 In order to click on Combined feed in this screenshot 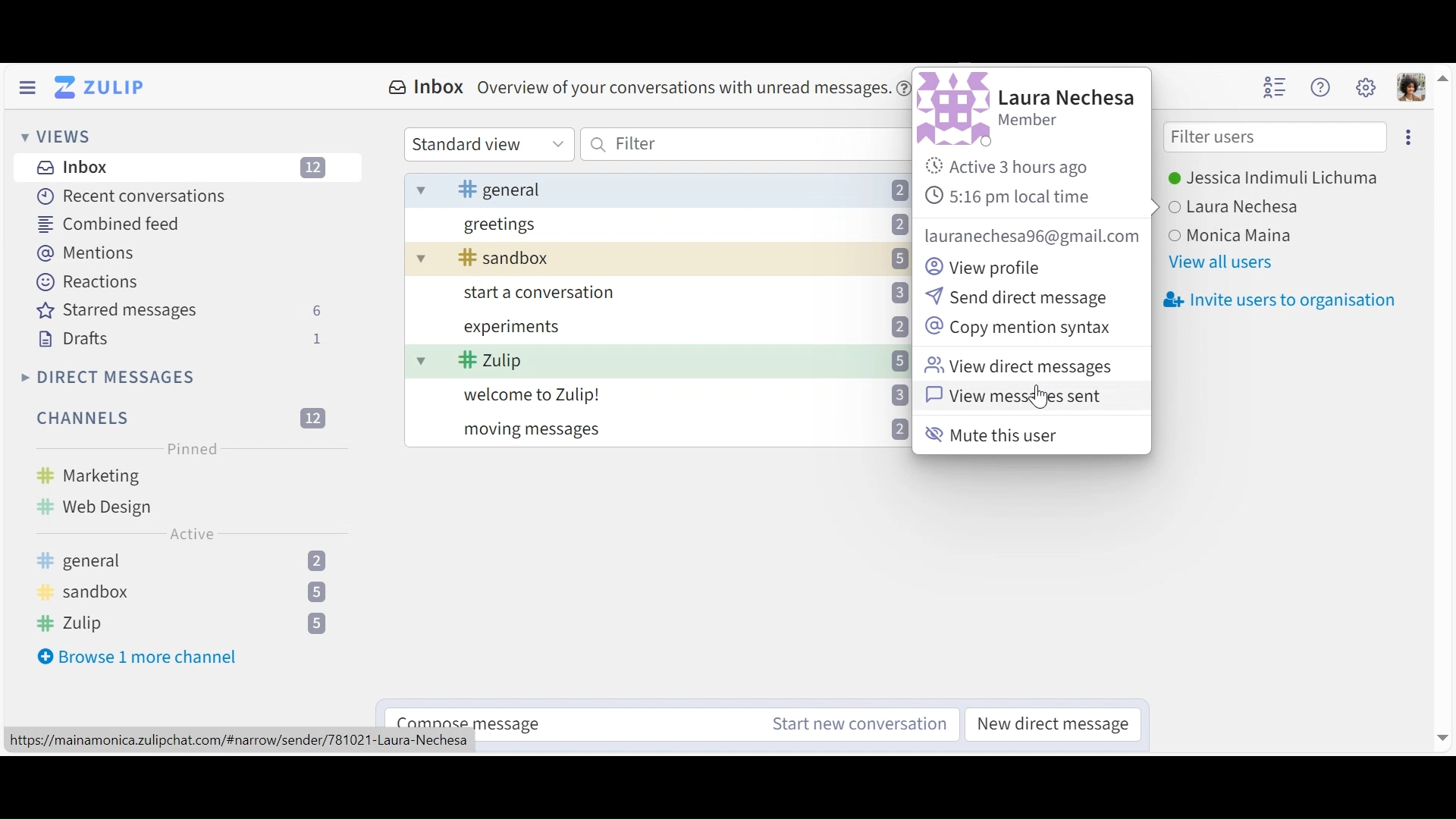, I will do `click(111, 223)`.